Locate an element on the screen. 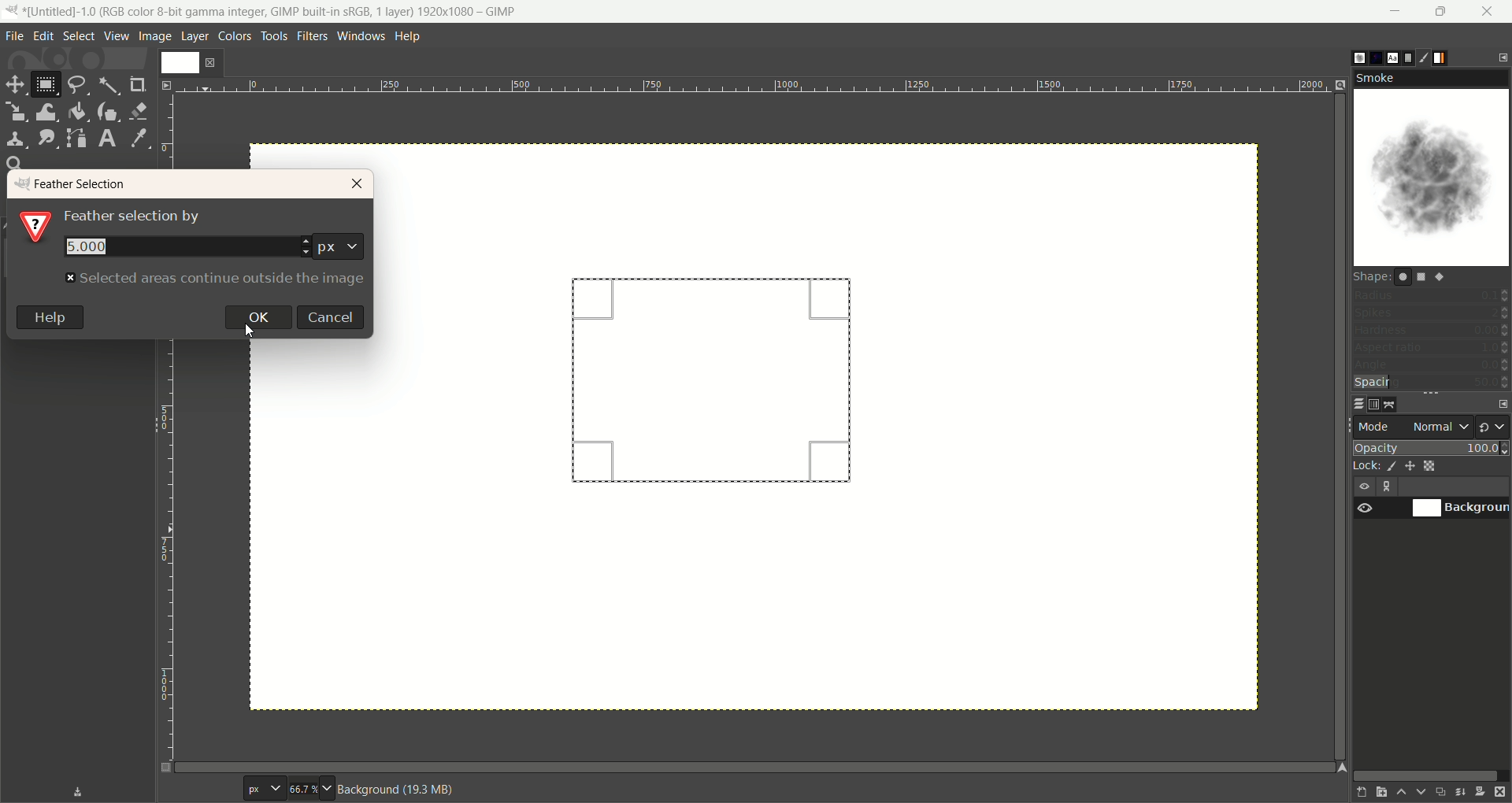 The height and width of the screenshot is (803, 1512). horizontal scroll bar is located at coordinates (1432, 778).